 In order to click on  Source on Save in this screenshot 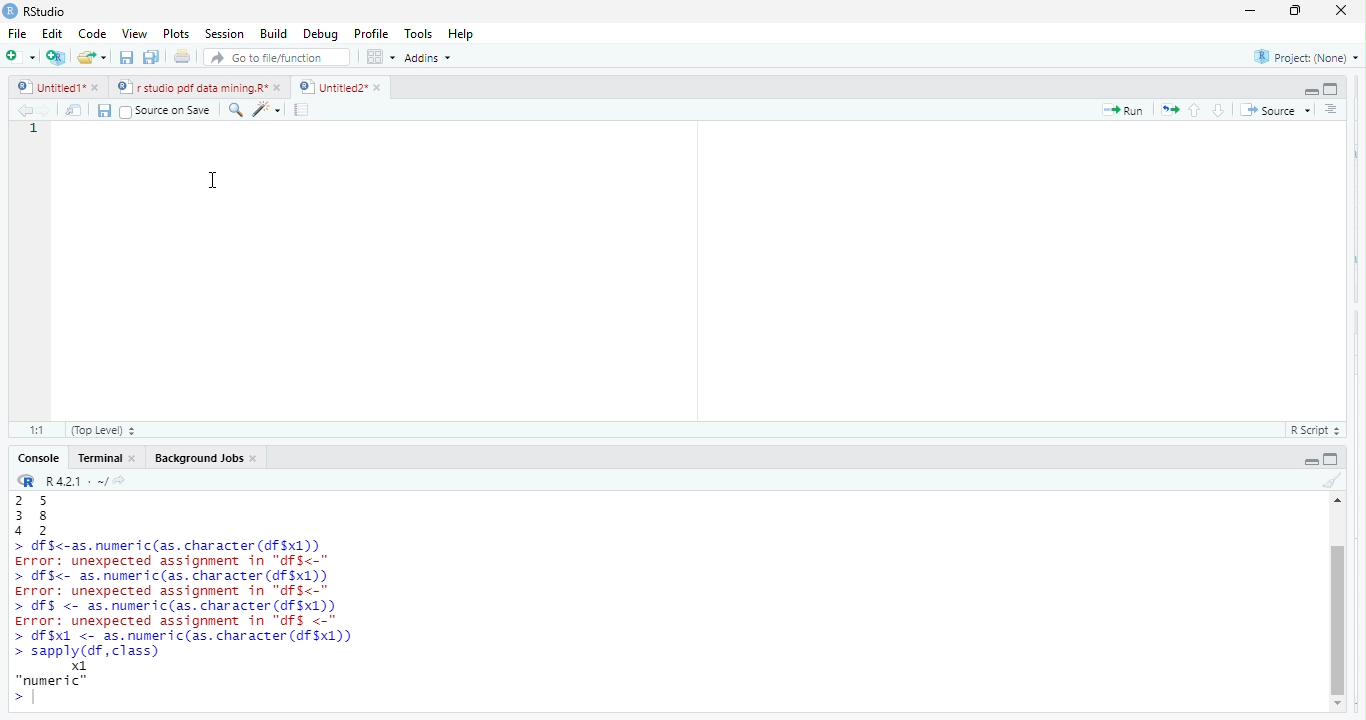, I will do `click(169, 110)`.